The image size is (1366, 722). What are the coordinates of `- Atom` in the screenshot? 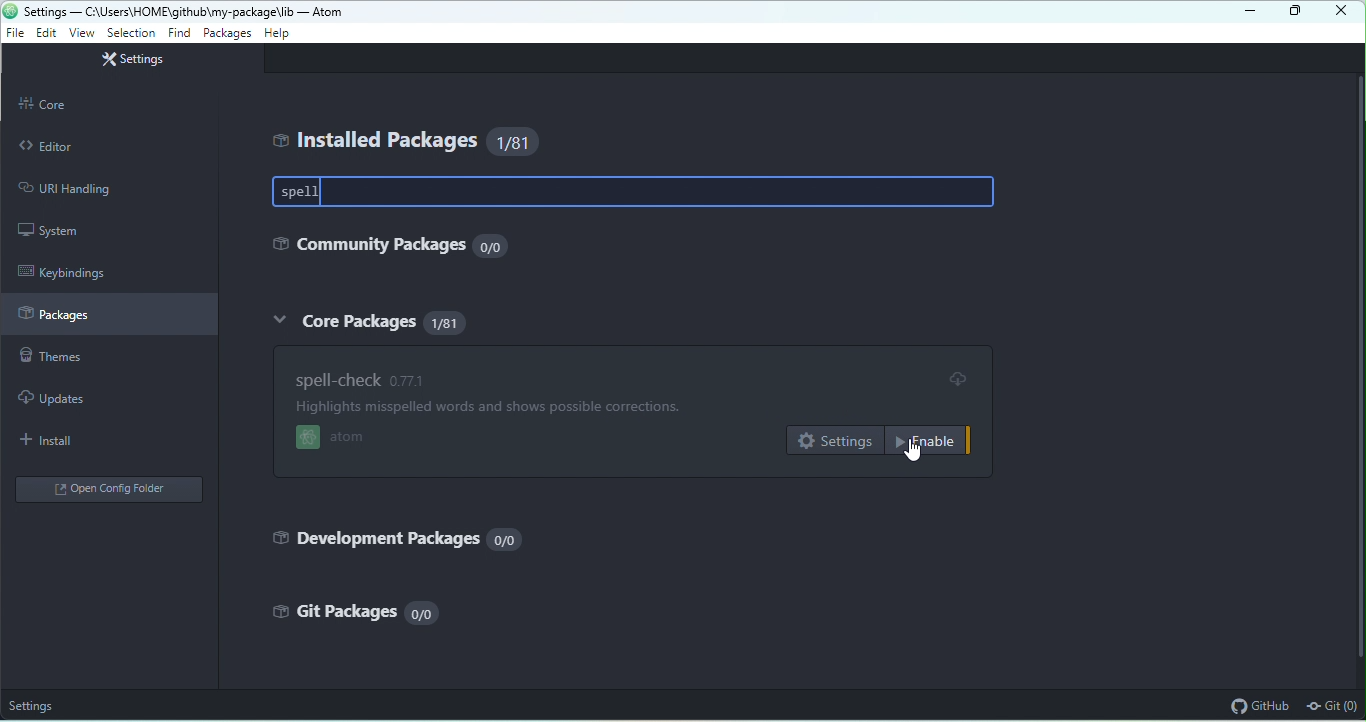 It's located at (319, 12).